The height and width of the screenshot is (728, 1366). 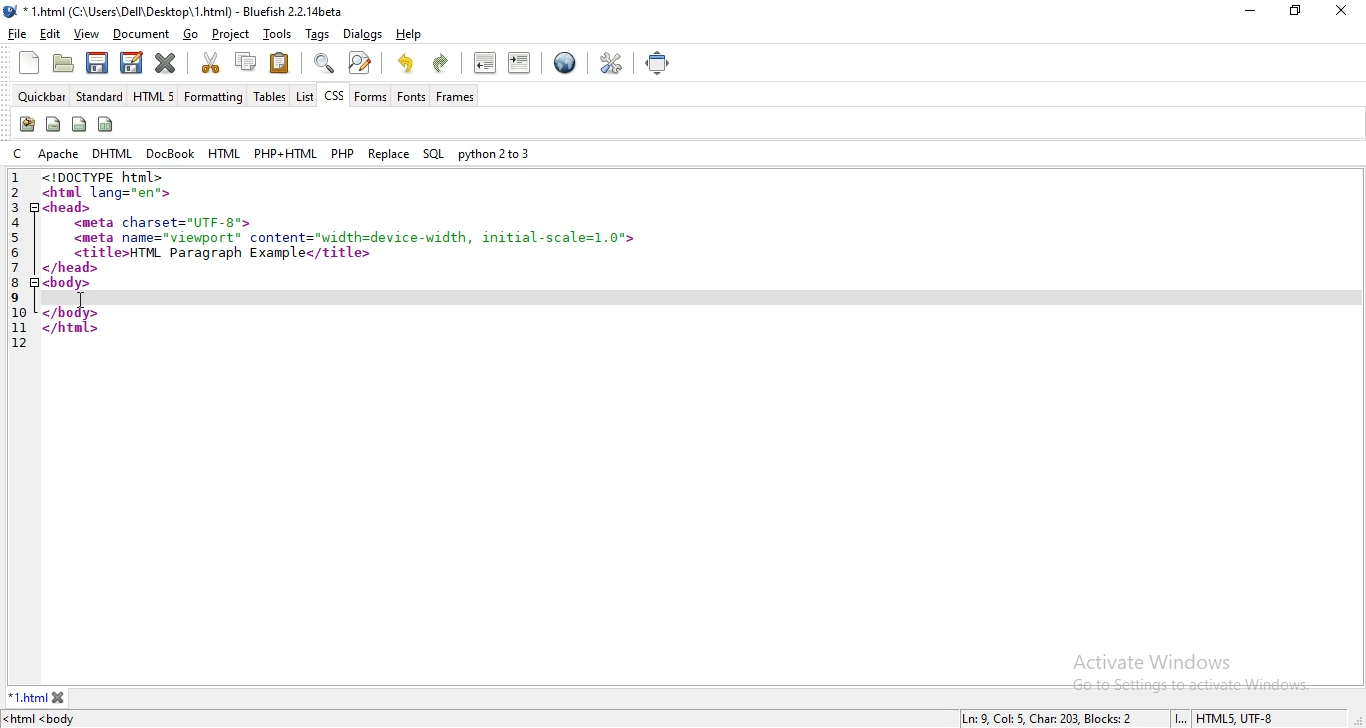 What do you see at coordinates (107, 123) in the screenshot?
I see `columns` at bounding box center [107, 123].